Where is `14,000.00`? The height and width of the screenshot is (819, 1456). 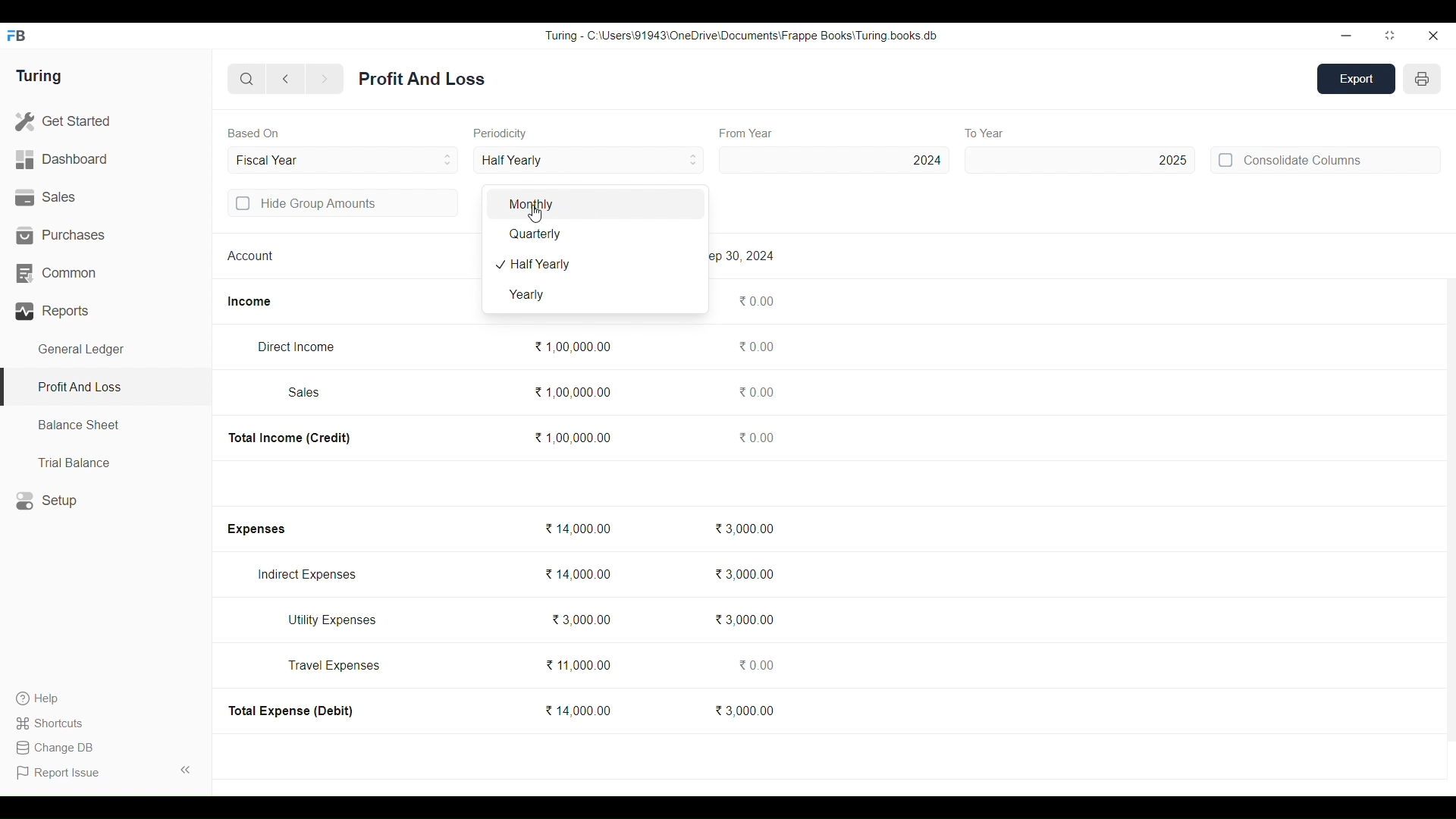
14,000.00 is located at coordinates (577, 711).